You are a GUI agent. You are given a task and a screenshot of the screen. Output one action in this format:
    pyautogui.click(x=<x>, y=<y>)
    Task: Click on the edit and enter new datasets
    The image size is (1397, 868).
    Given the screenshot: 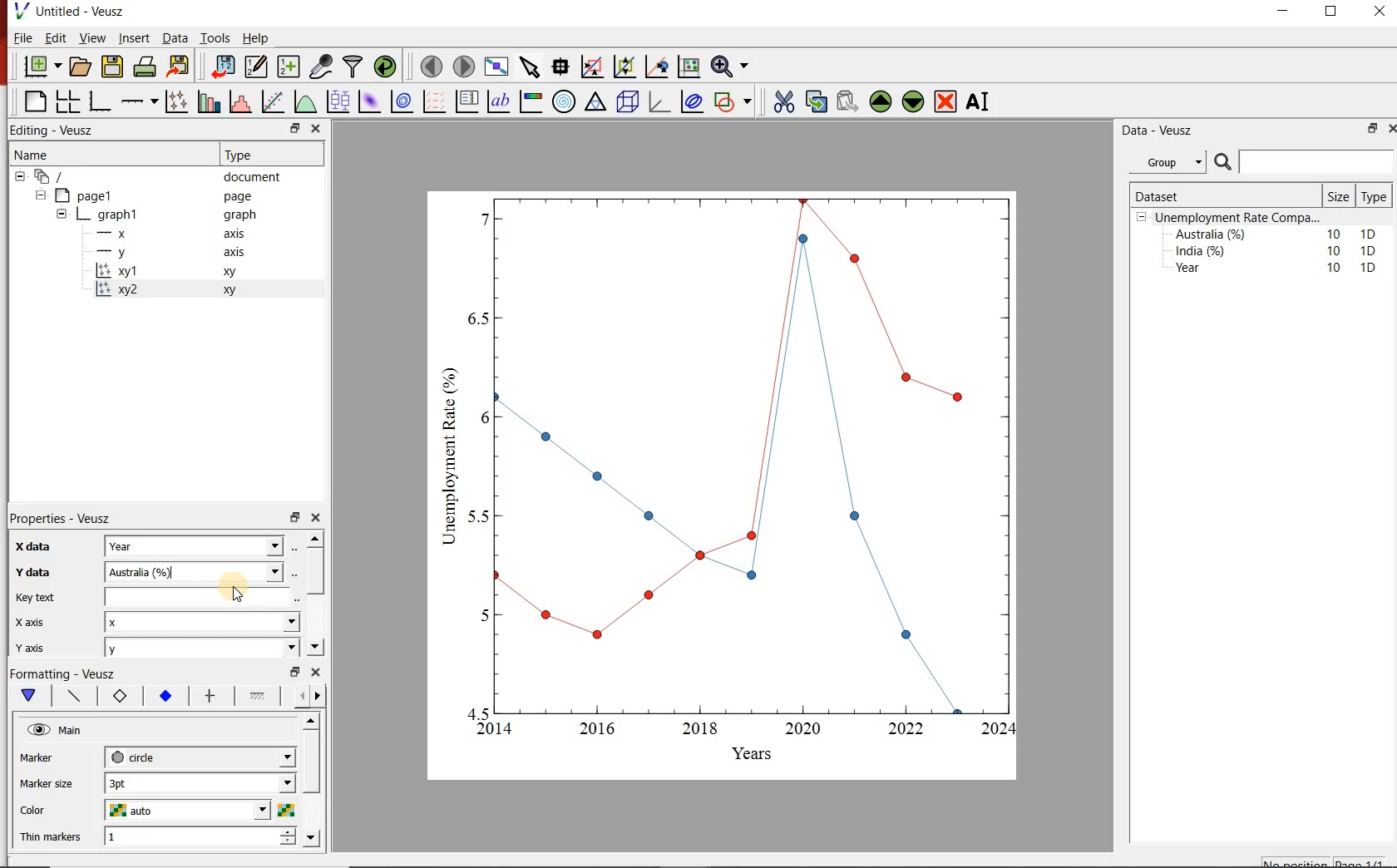 What is the action you would take?
    pyautogui.click(x=258, y=65)
    